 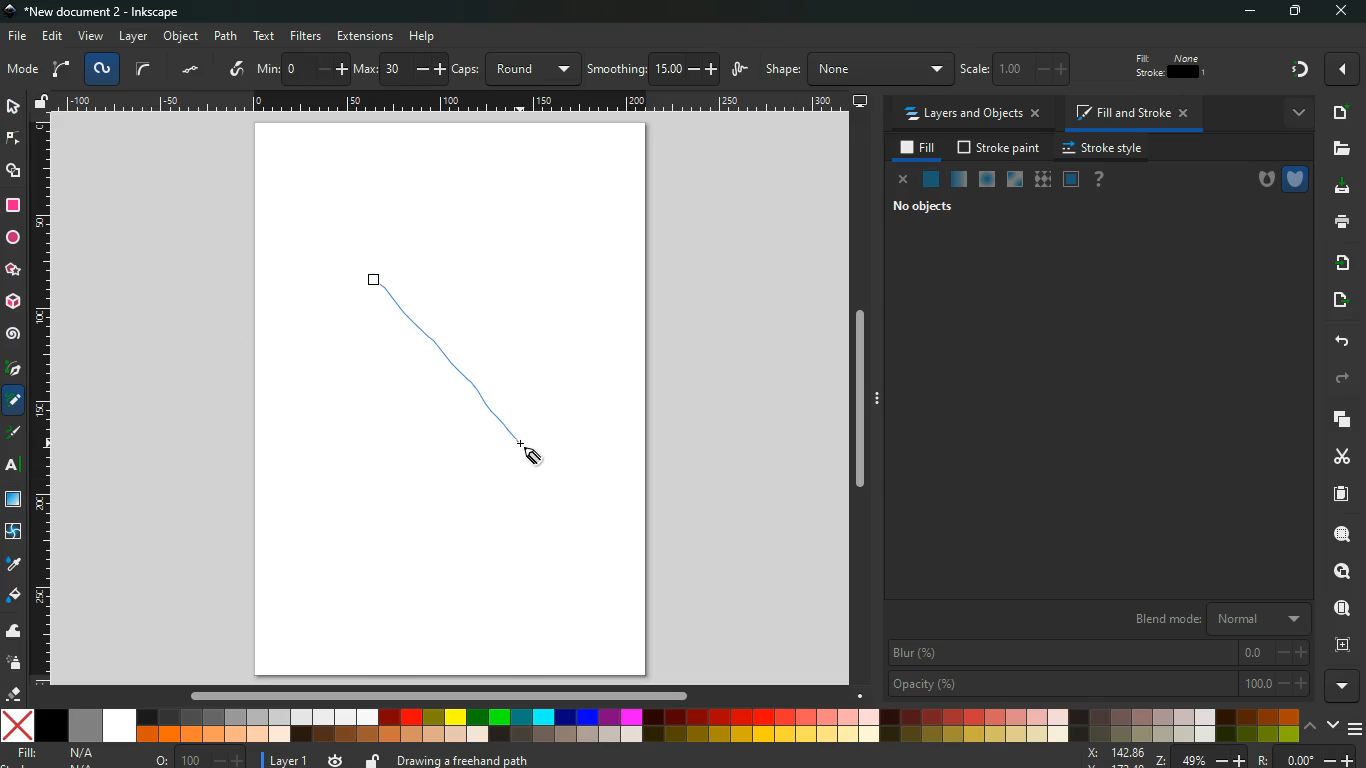 I want to click on min, so click(x=302, y=69).